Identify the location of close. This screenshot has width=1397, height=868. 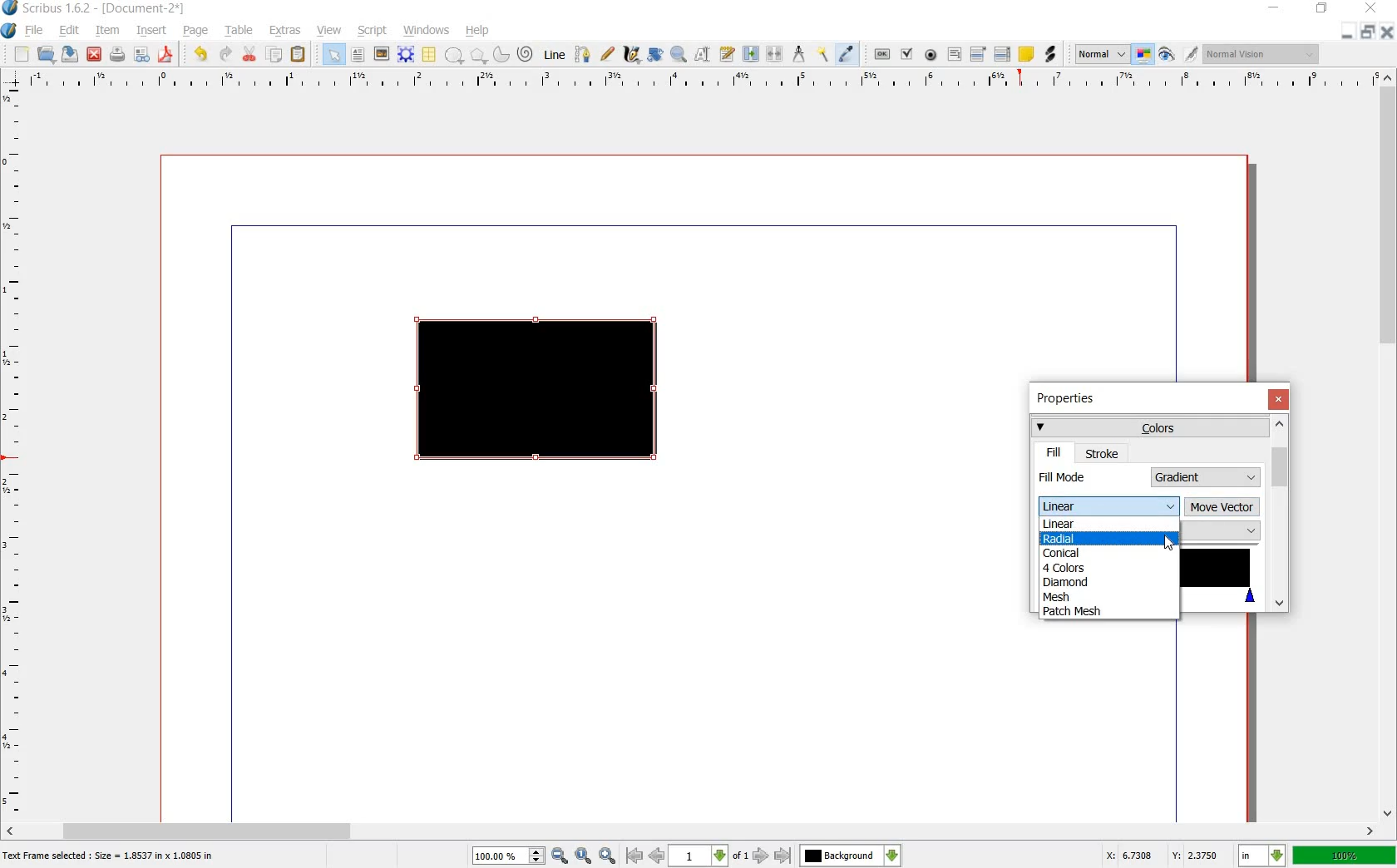
(1385, 32).